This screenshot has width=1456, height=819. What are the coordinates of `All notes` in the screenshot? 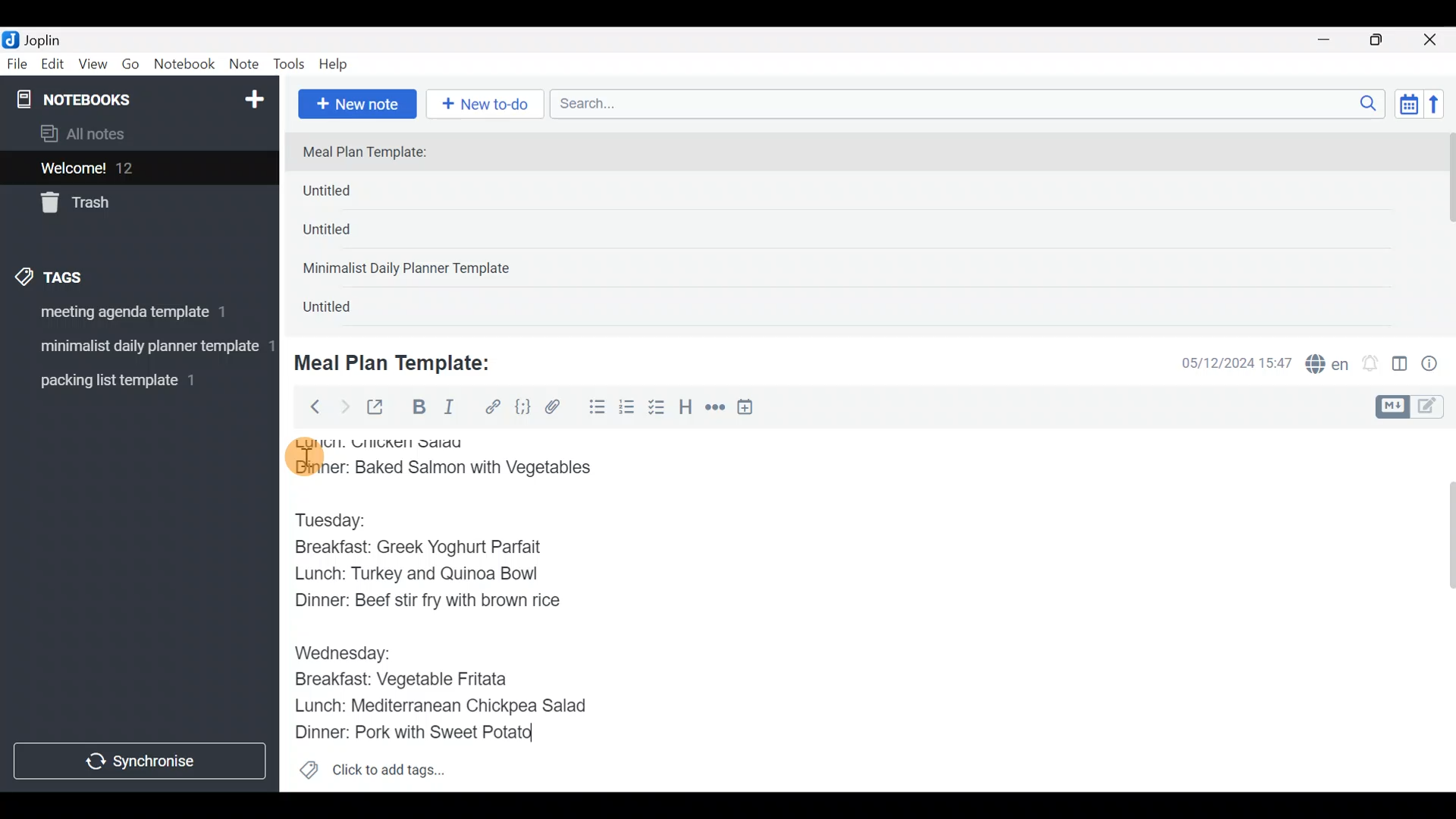 It's located at (136, 135).